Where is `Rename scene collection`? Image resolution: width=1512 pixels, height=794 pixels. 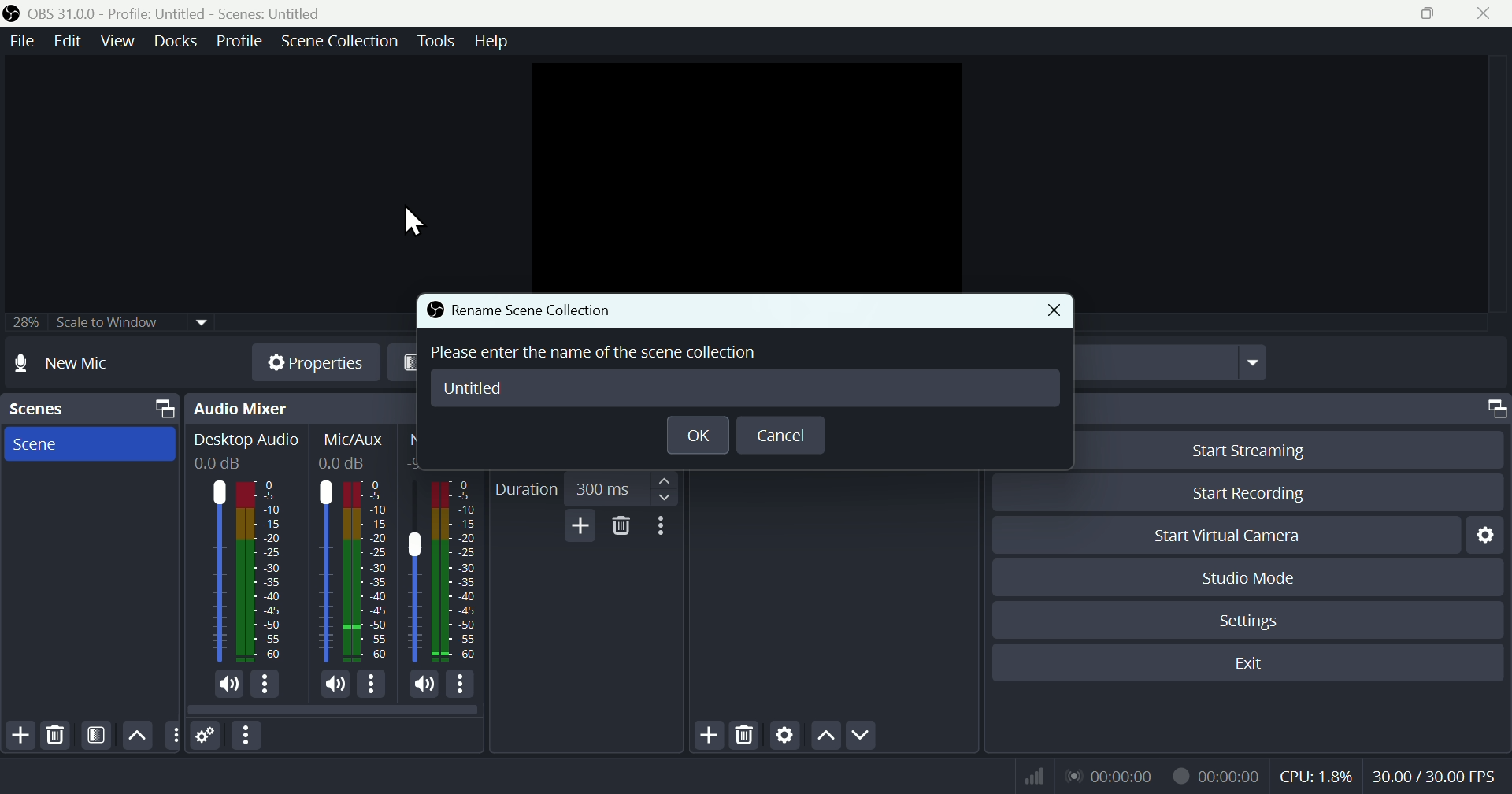 Rename scene collection is located at coordinates (534, 311).